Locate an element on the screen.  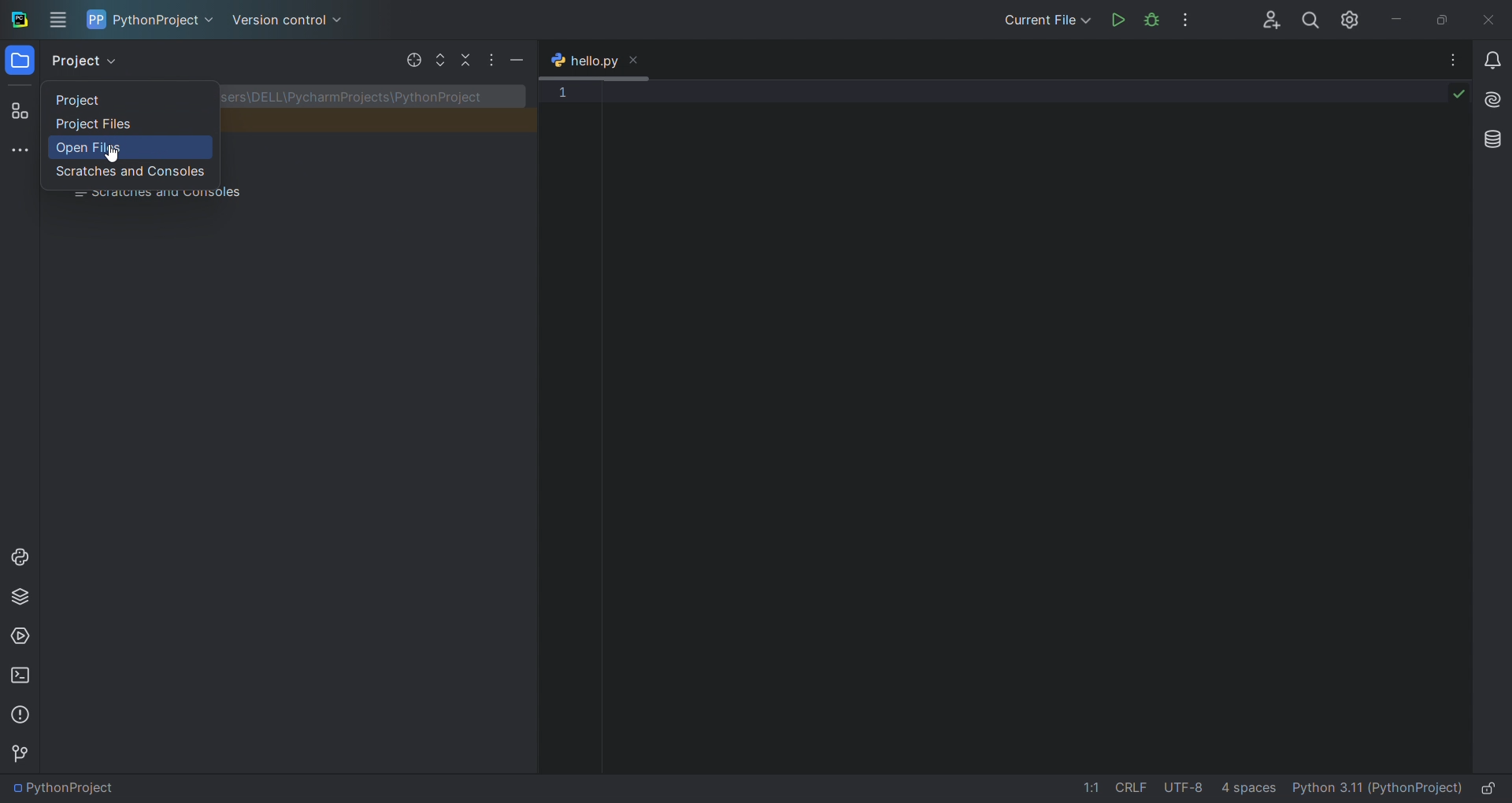
menu is located at coordinates (60, 20).